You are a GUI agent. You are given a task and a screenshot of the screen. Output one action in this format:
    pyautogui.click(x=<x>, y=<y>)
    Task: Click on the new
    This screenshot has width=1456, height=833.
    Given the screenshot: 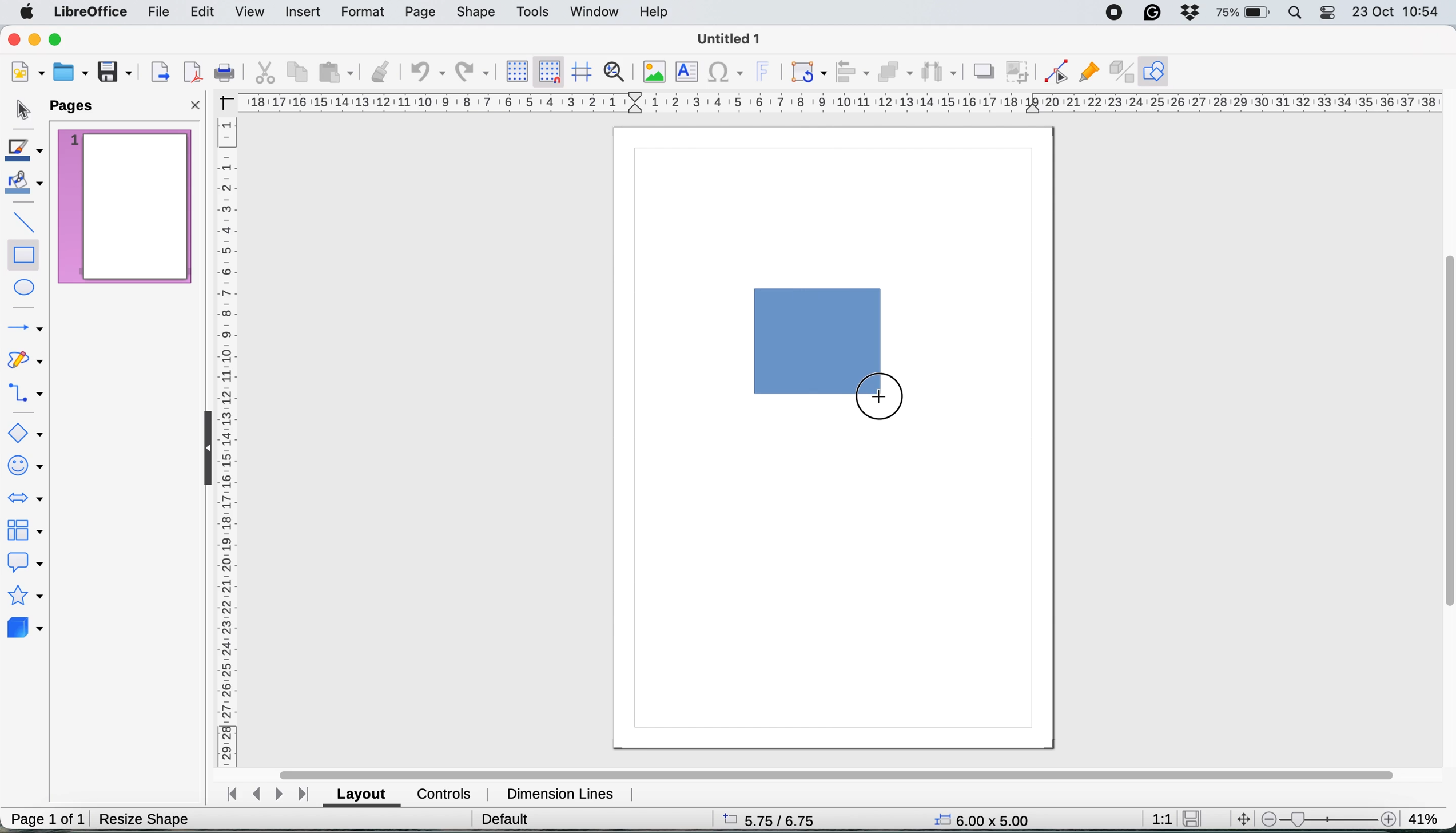 What is the action you would take?
    pyautogui.click(x=29, y=72)
    